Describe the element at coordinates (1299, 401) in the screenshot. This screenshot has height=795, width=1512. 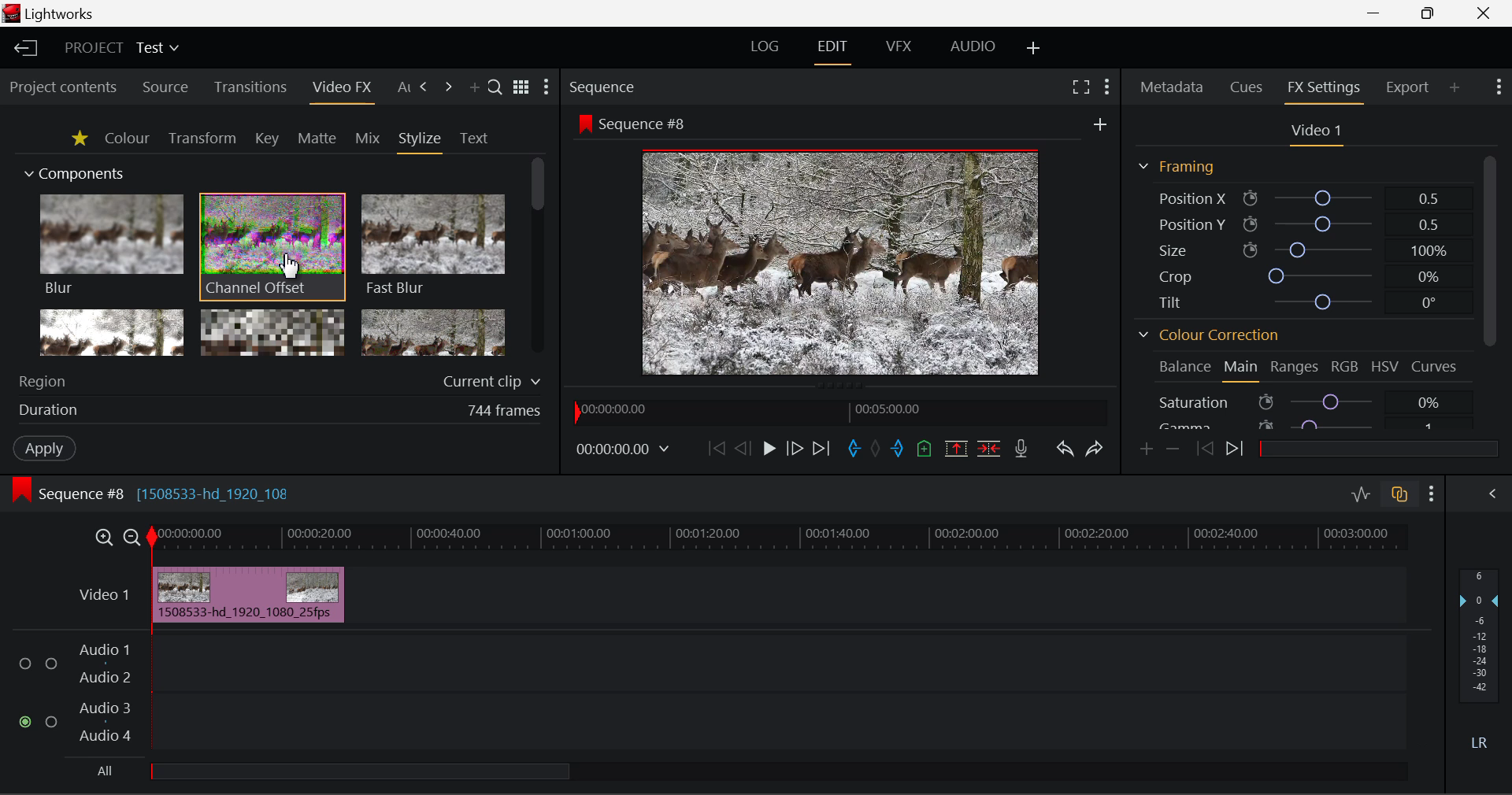
I see `Saturation` at that location.